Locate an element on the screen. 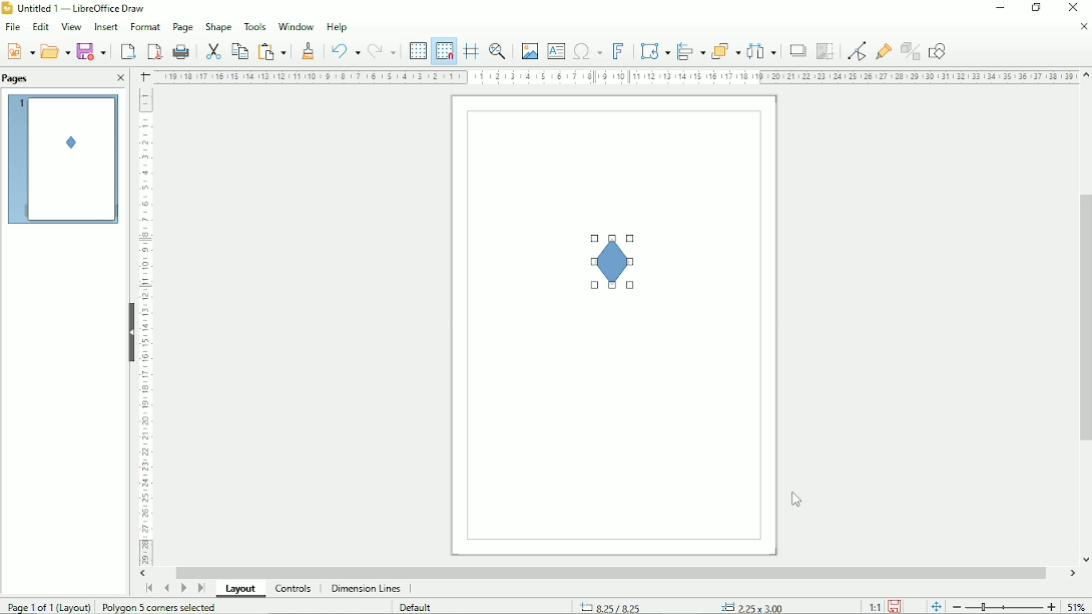  Close is located at coordinates (1082, 27).